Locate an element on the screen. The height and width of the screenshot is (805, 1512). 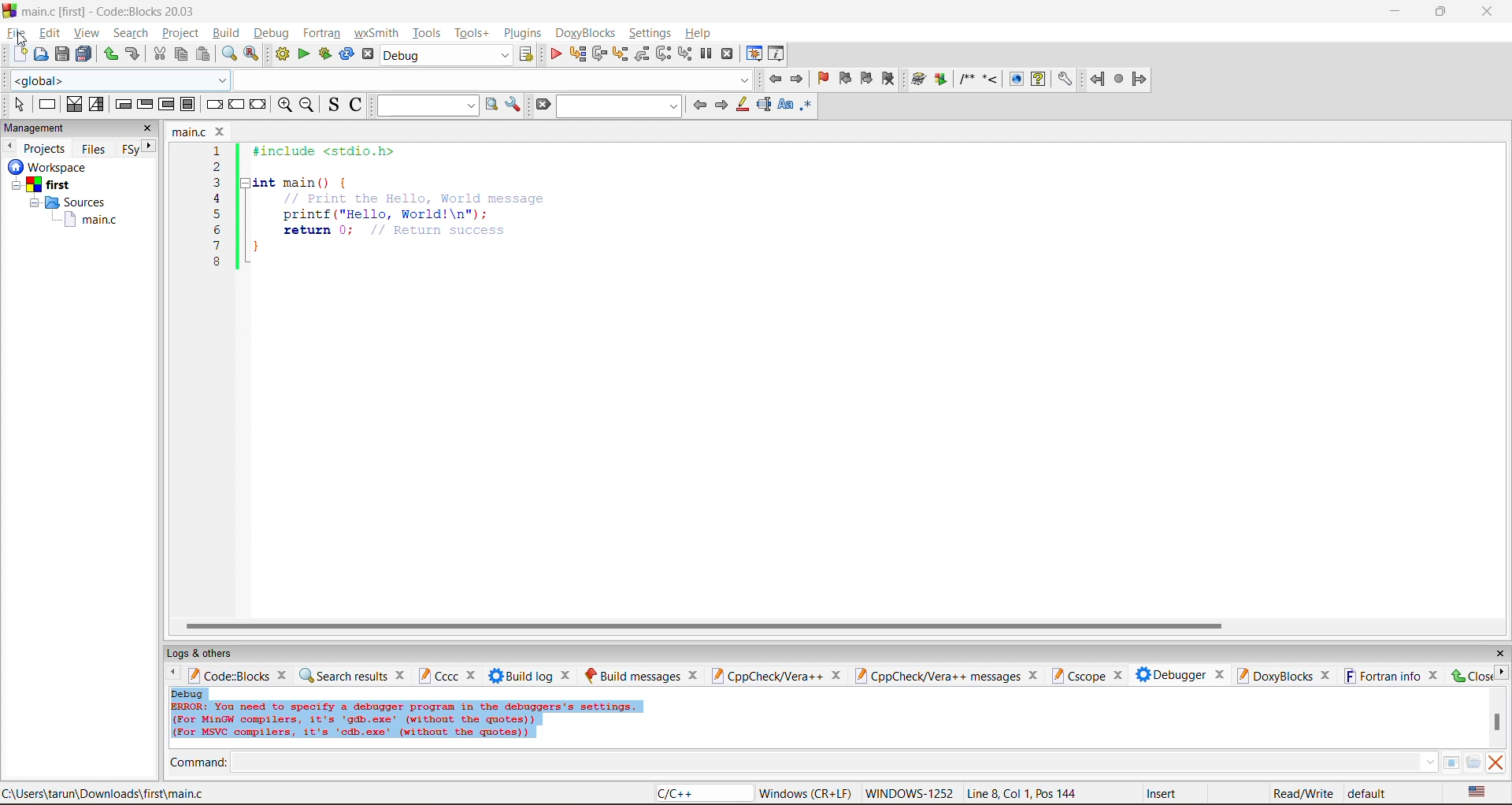
resize is located at coordinates (1441, 10).